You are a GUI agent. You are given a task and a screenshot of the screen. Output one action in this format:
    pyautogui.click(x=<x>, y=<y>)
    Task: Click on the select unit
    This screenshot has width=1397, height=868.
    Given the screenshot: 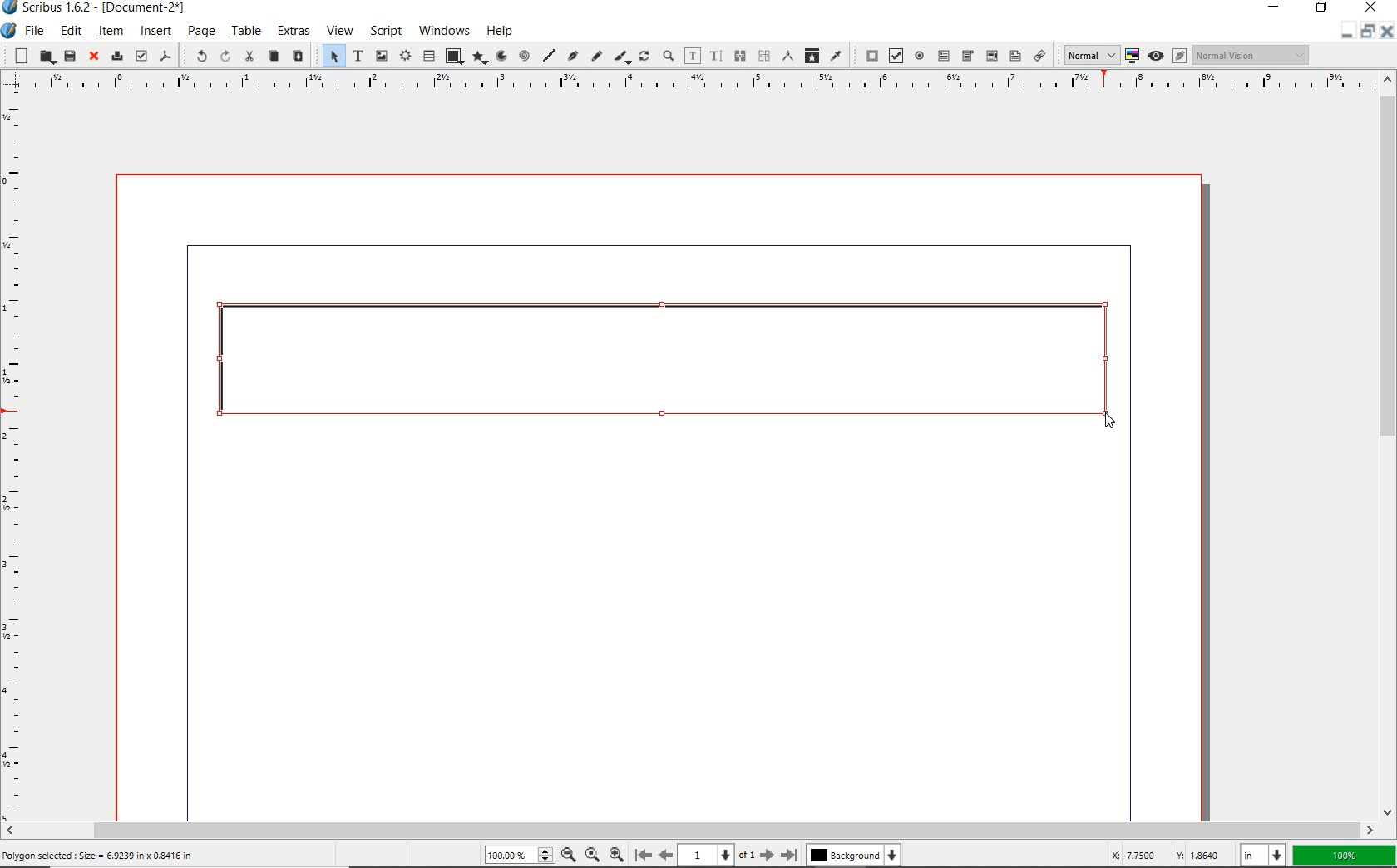 What is the action you would take?
    pyautogui.click(x=1261, y=856)
    